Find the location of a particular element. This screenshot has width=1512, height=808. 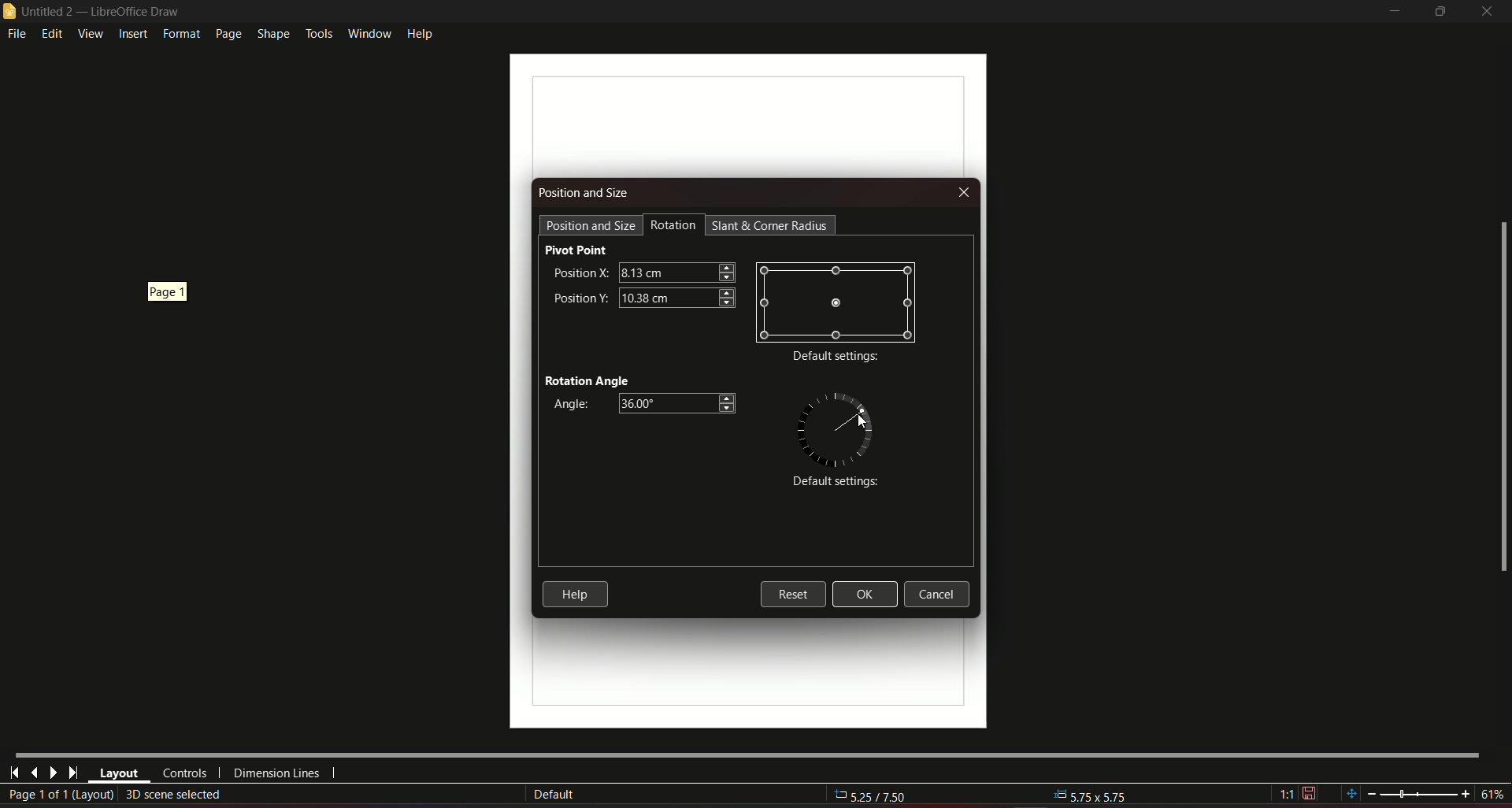

page is located at coordinates (227, 34).